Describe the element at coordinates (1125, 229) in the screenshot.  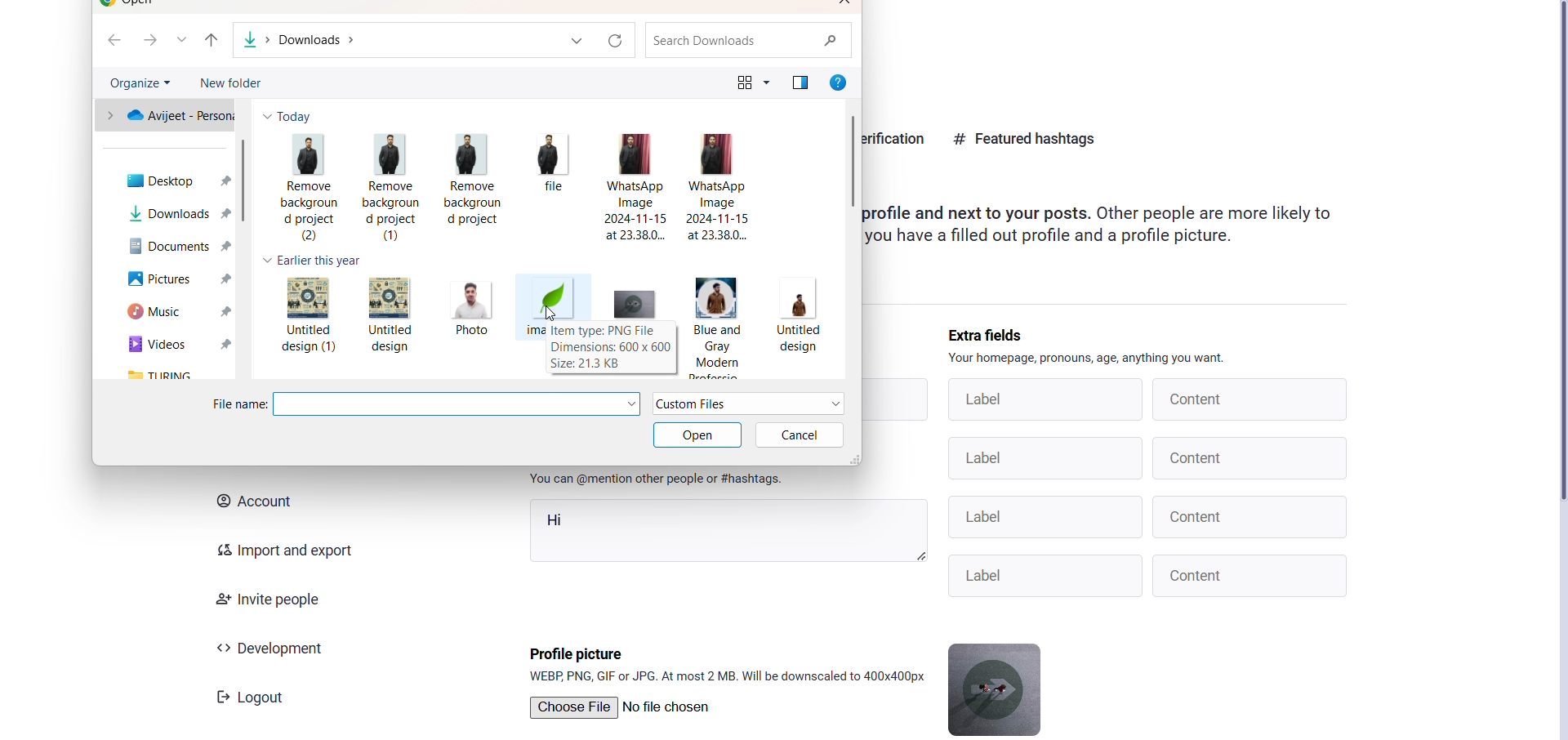
I see `Profile and next to your posts. Other people are more likely to you have a filled out profile and a profile picture.` at that location.